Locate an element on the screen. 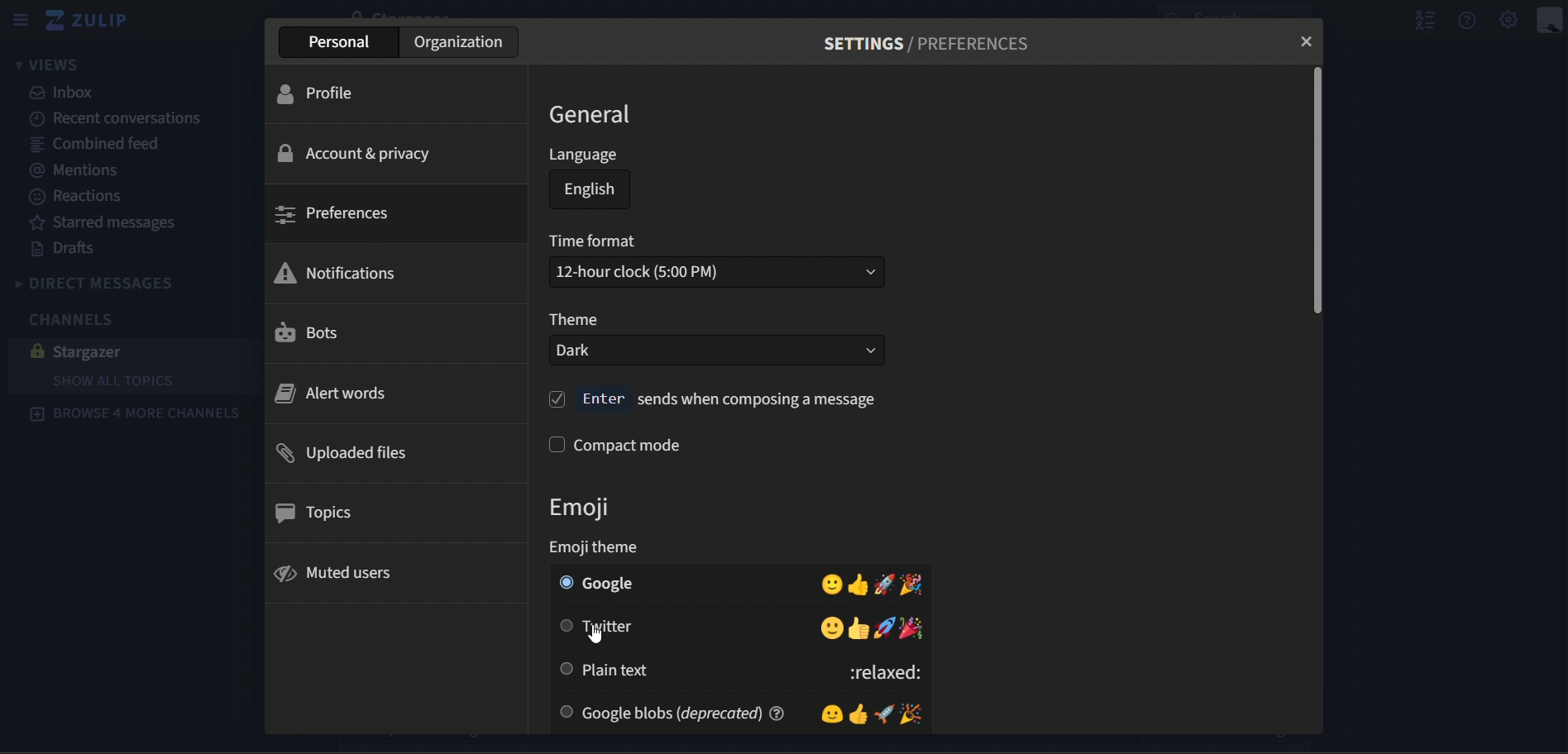 Image resolution: width=1568 pixels, height=754 pixels. muted users is located at coordinates (336, 573).